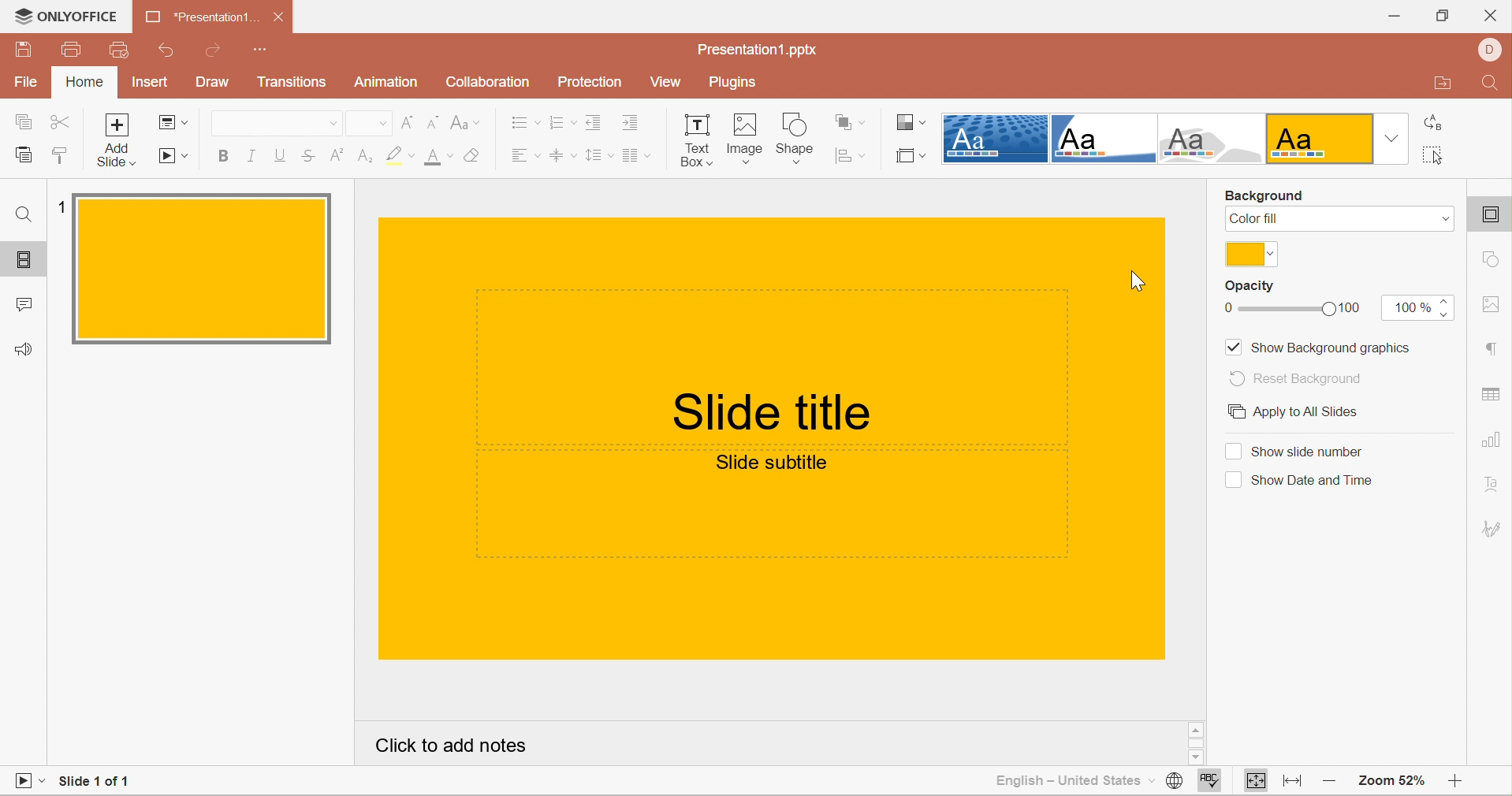 The height and width of the screenshot is (796, 1512). What do you see at coordinates (592, 84) in the screenshot?
I see `Protection` at bounding box center [592, 84].